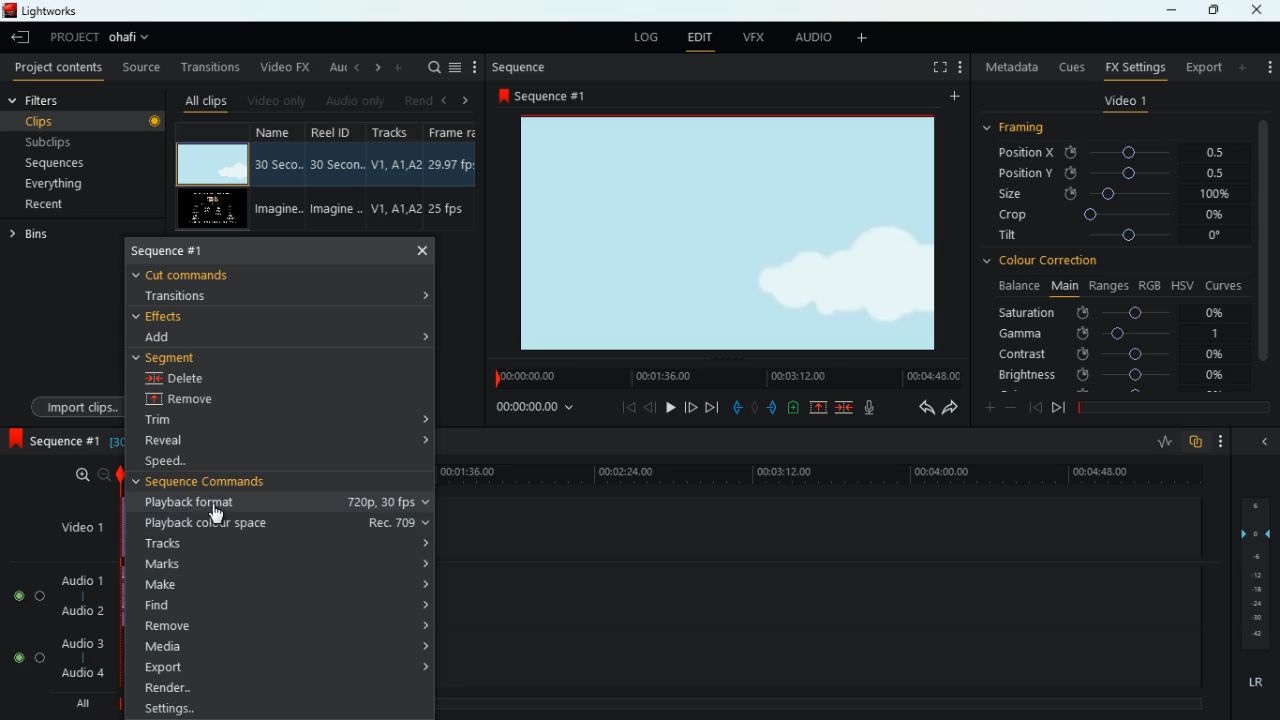 The width and height of the screenshot is (1280, 720). Describe the element at coordinates (1224, 287) in the screenshot. I see `curves` at that location.